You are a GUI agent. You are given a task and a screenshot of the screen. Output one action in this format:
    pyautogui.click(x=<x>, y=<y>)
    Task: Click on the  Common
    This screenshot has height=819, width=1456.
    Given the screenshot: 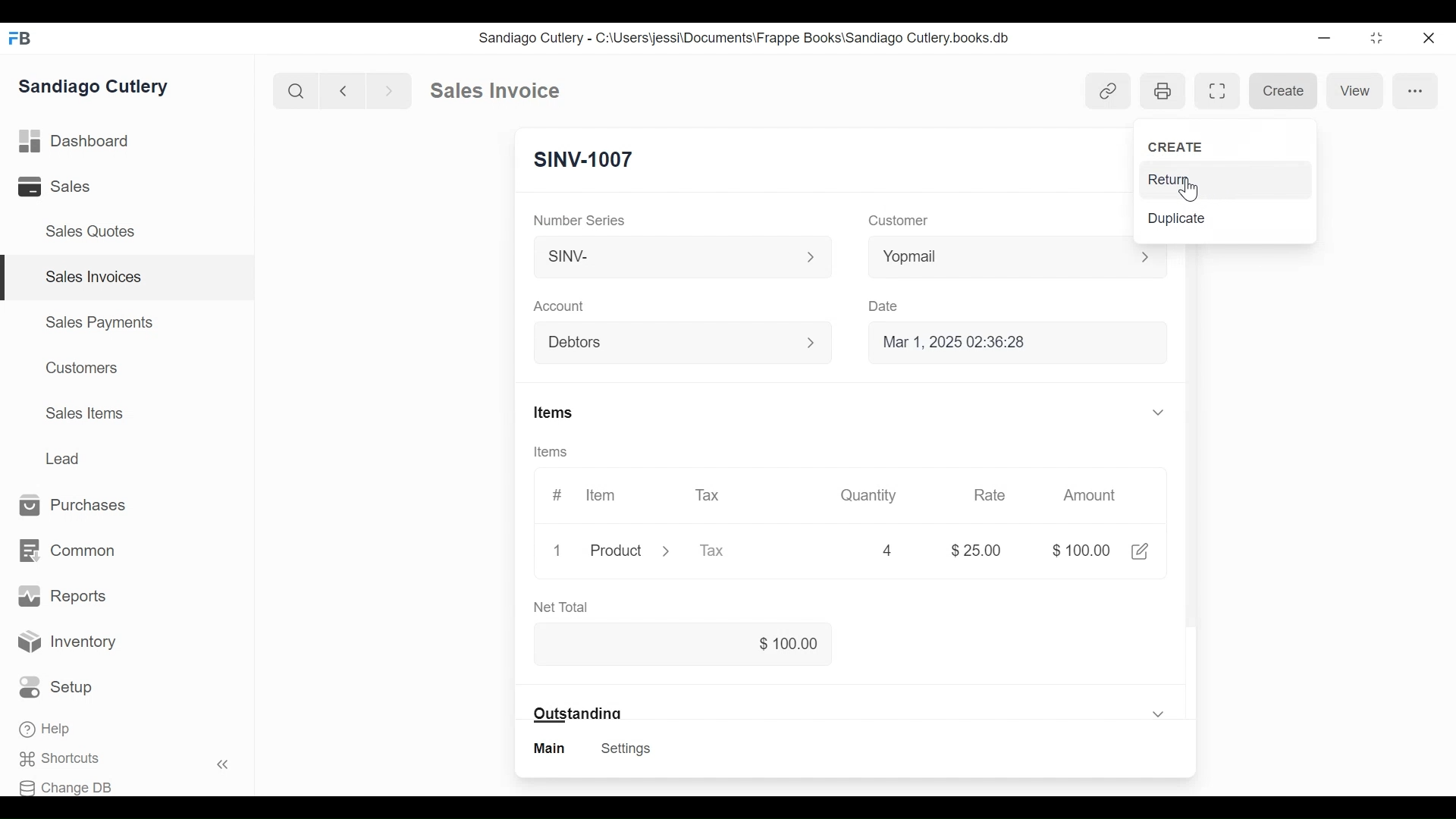 What is the action you would take?
    pyautogui.click(x=69, y=550)
    